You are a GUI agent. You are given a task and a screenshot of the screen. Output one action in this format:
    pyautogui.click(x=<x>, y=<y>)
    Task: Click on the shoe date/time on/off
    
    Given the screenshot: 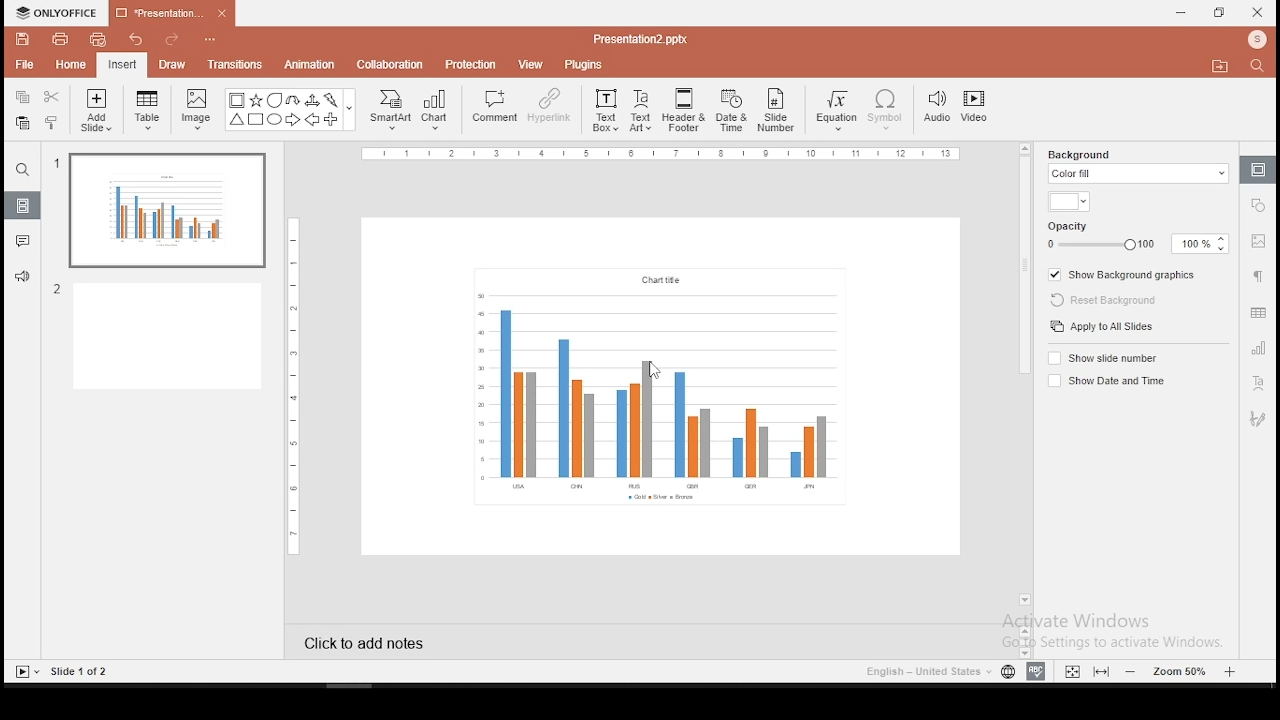 What is the action you would take?
    pyautogui.click(x=1109, y=380)
    